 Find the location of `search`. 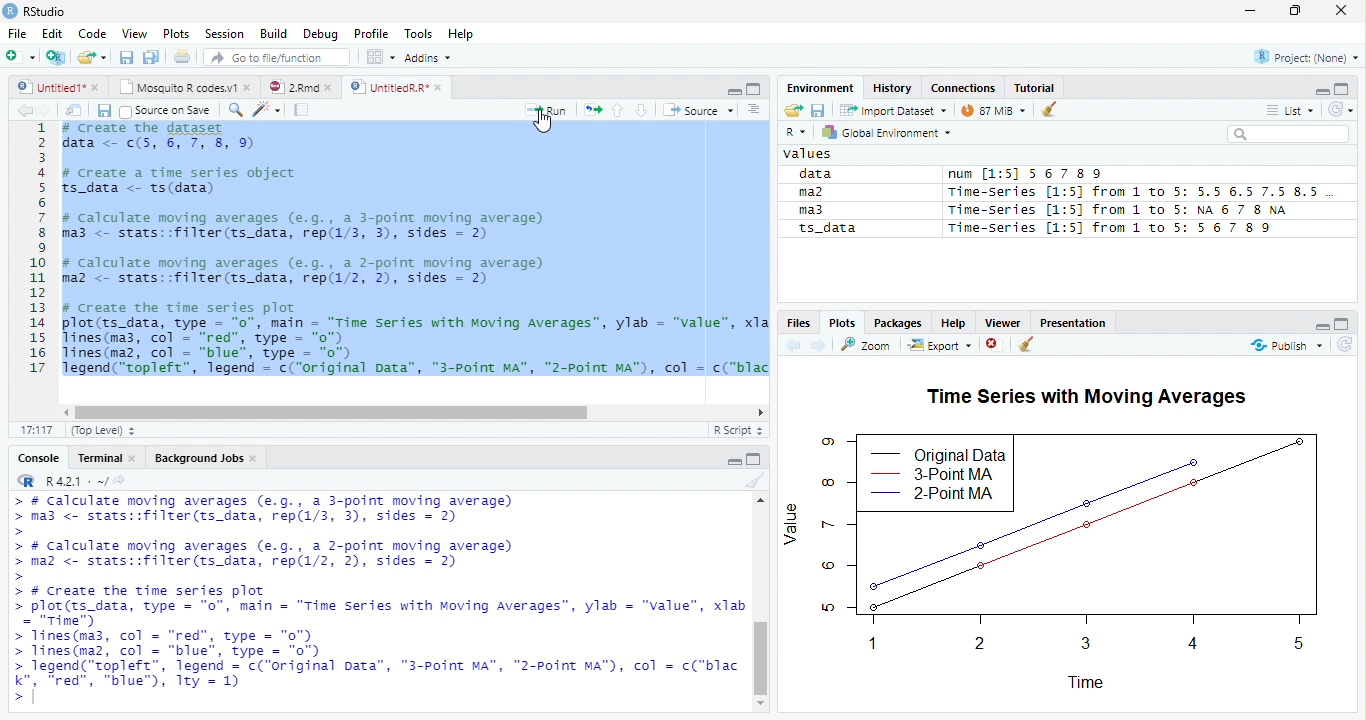

search is located at coordinates (233, 110).